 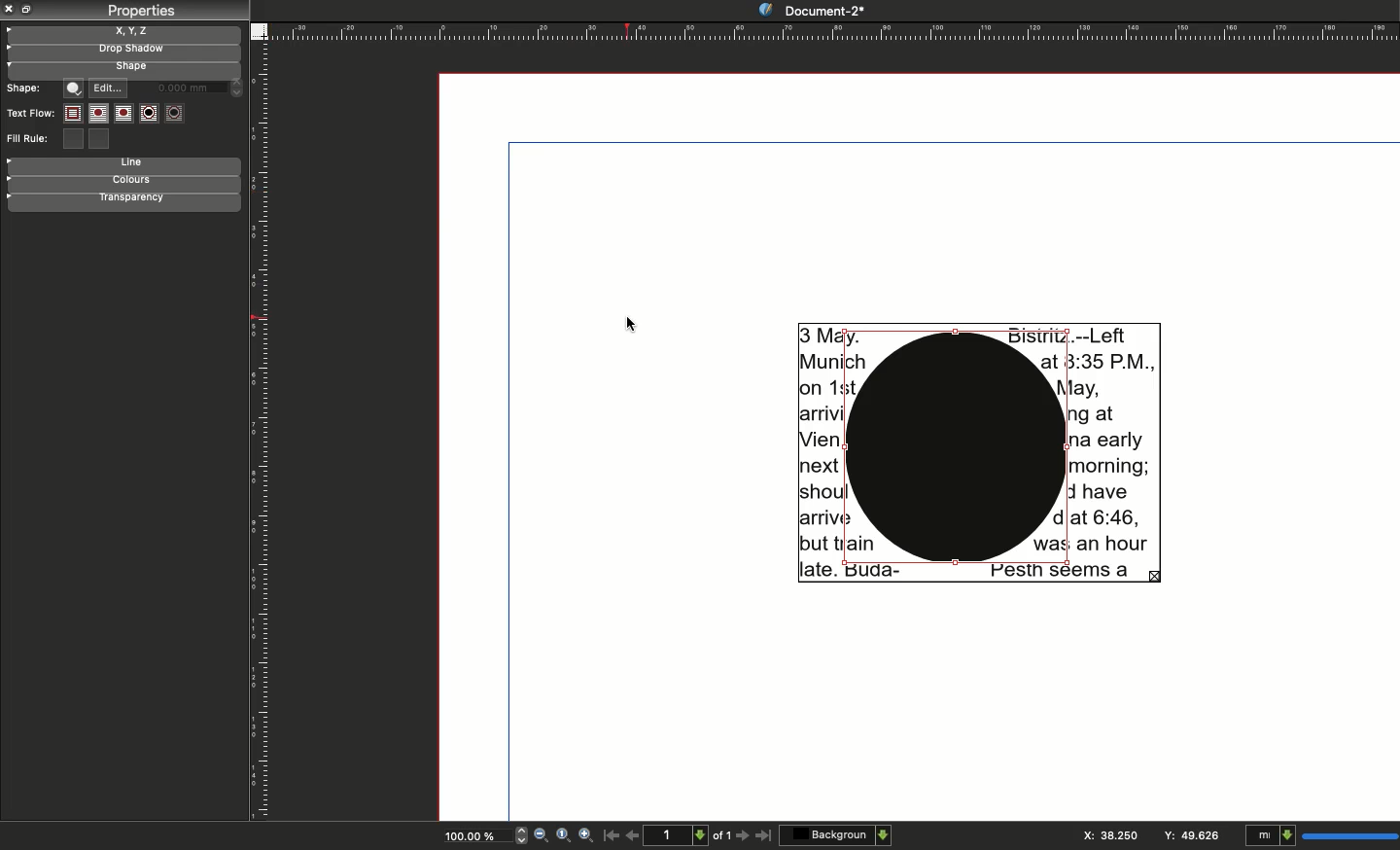 What do you see at coordinates (123, 49) in the screenshot?
I see `Drop shadow` at bounding box center [123, 49].